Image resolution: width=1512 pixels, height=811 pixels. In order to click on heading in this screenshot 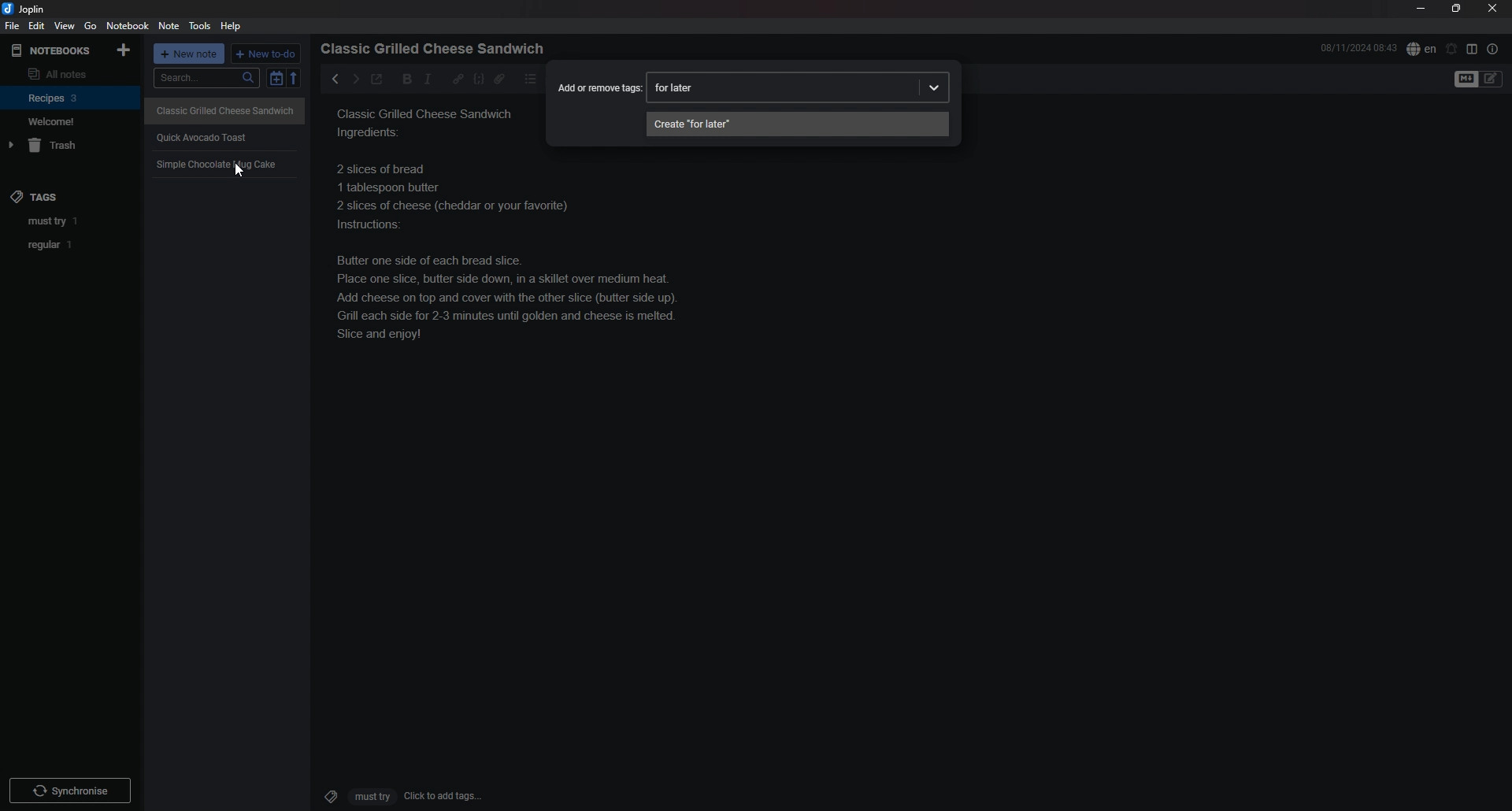, I will do `click(437, 49)`.